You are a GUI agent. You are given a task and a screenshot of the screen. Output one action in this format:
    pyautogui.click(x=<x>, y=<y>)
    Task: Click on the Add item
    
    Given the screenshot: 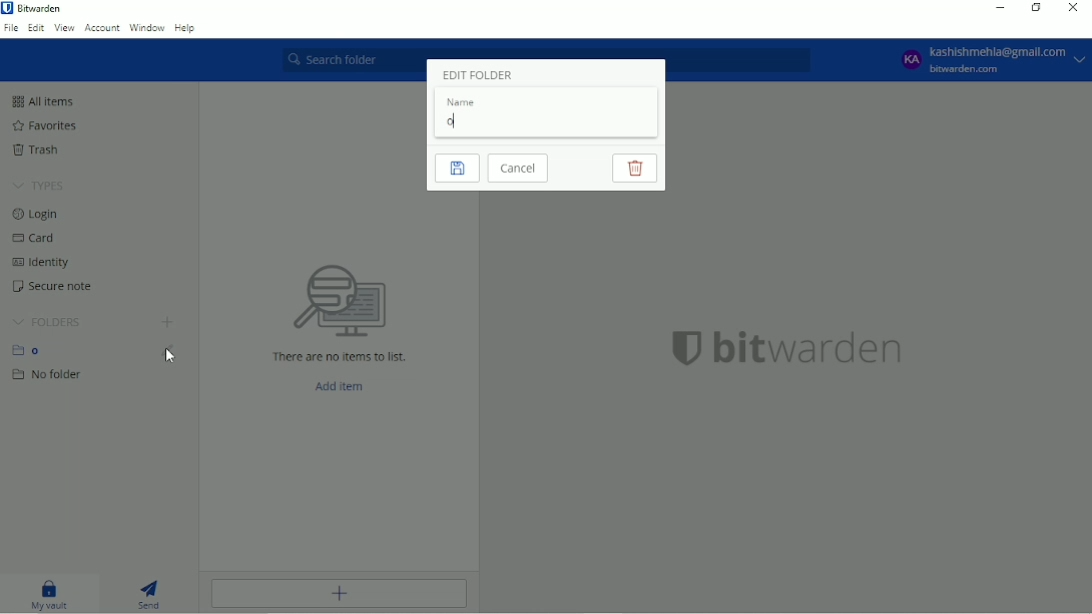 What is the action you would take?
    pyautogui.click(x=340, y=387)
    